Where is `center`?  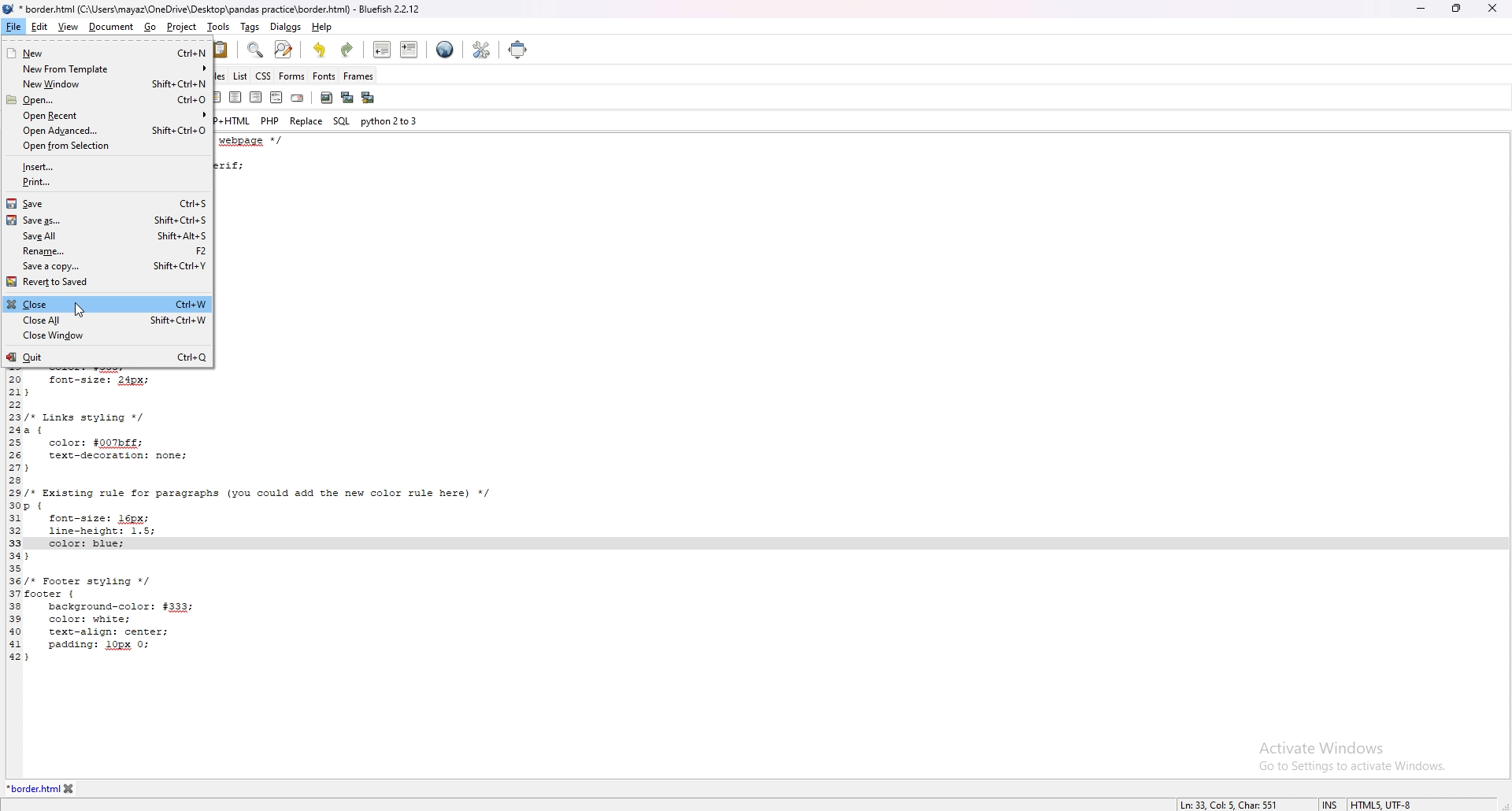
center is located at coordinates (237, 98).